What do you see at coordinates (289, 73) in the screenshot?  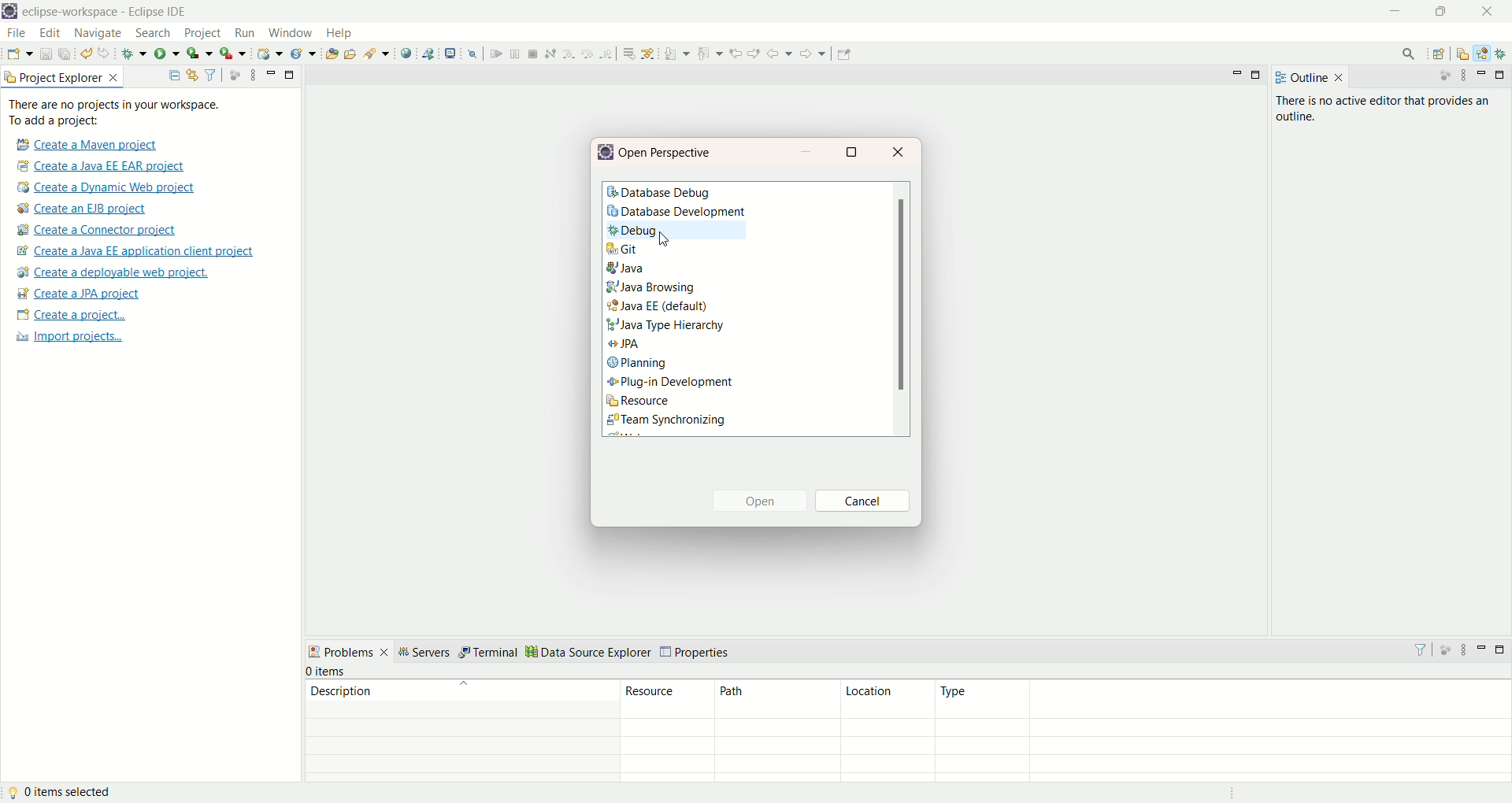 I see `maximize` at bounding box center [289, 73].